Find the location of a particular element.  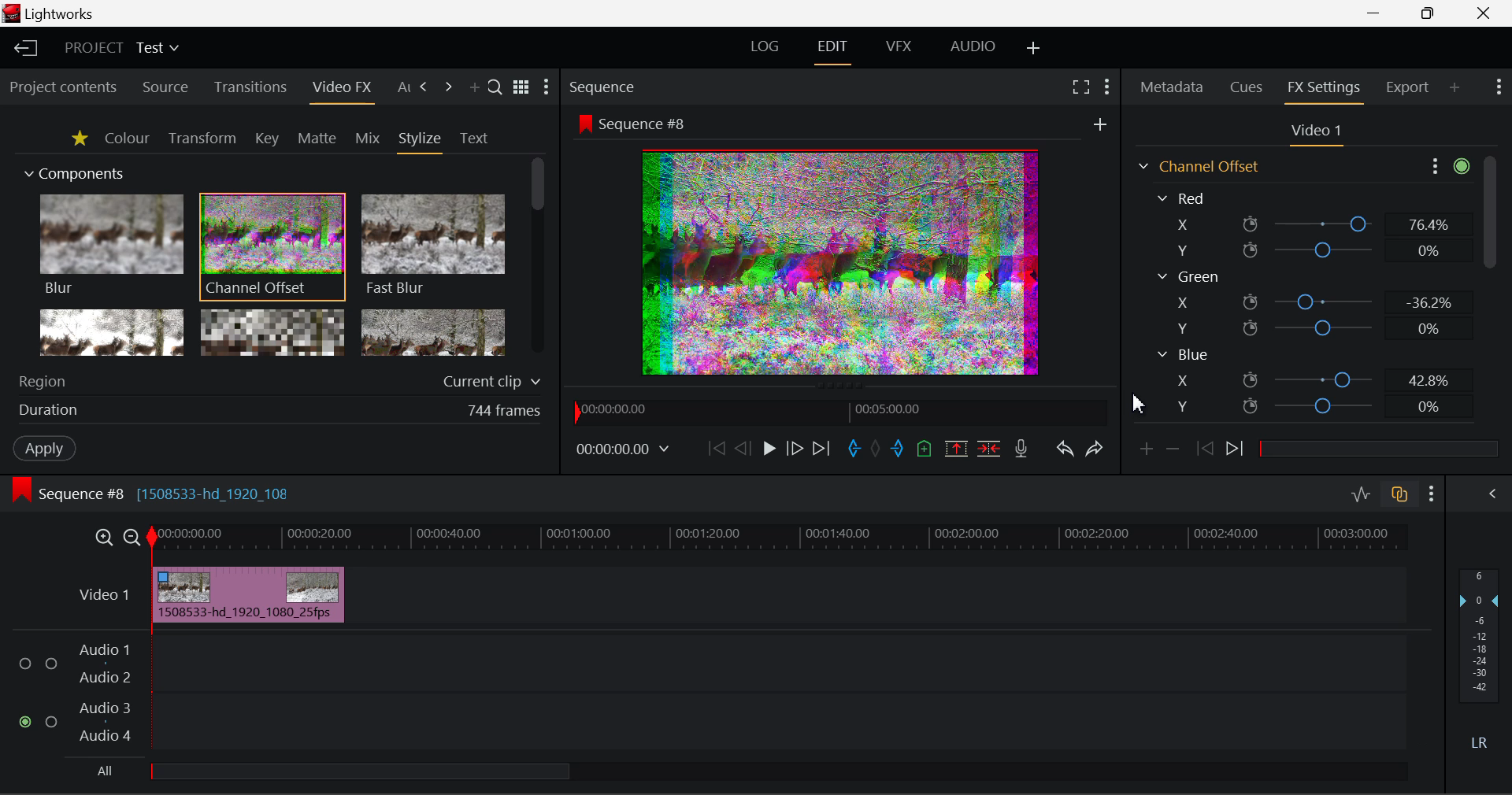

Sequence Preview Screen Section is located at coordinates (842, 122).